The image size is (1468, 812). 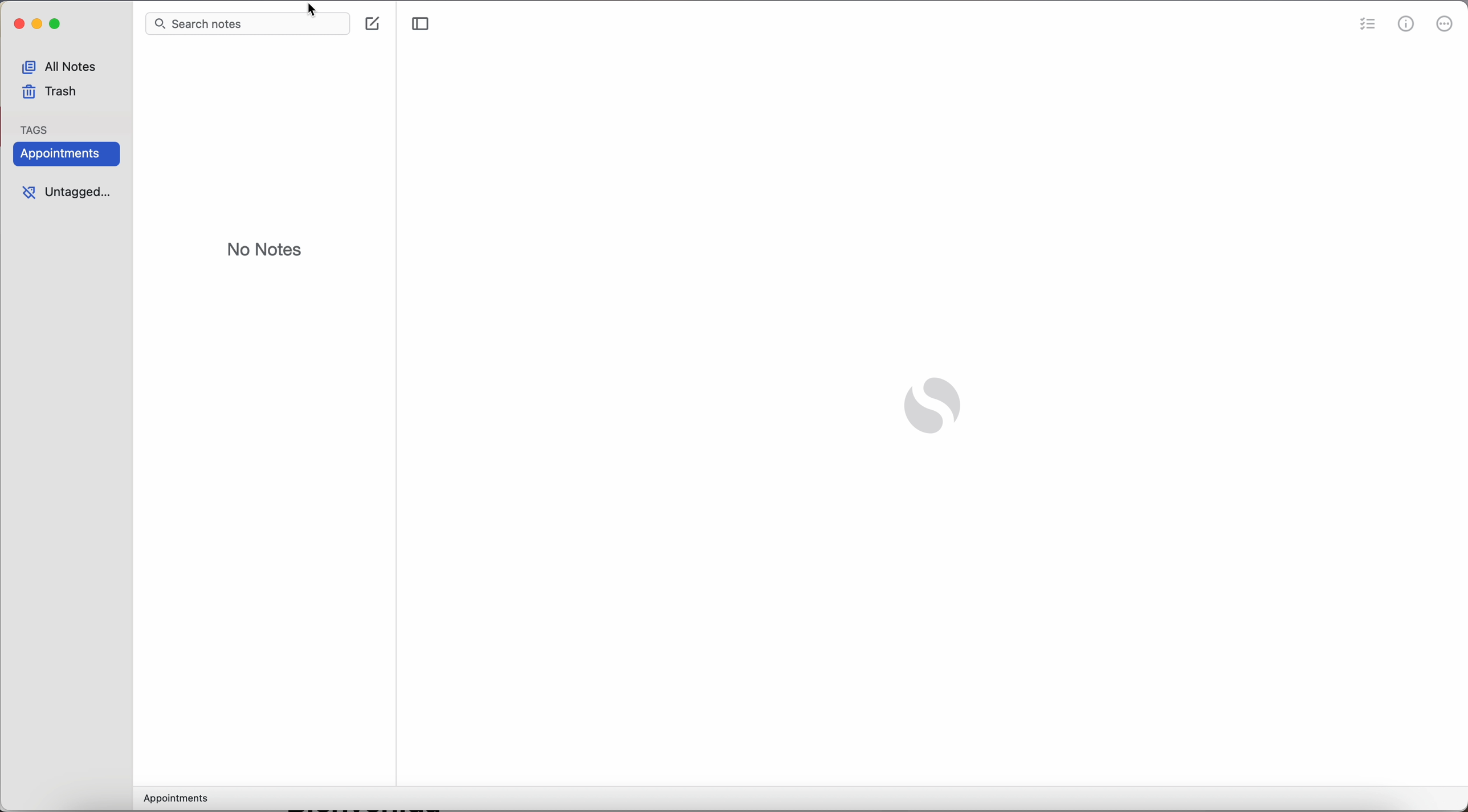 I want to click on more options, so click(x=1446, y=26).